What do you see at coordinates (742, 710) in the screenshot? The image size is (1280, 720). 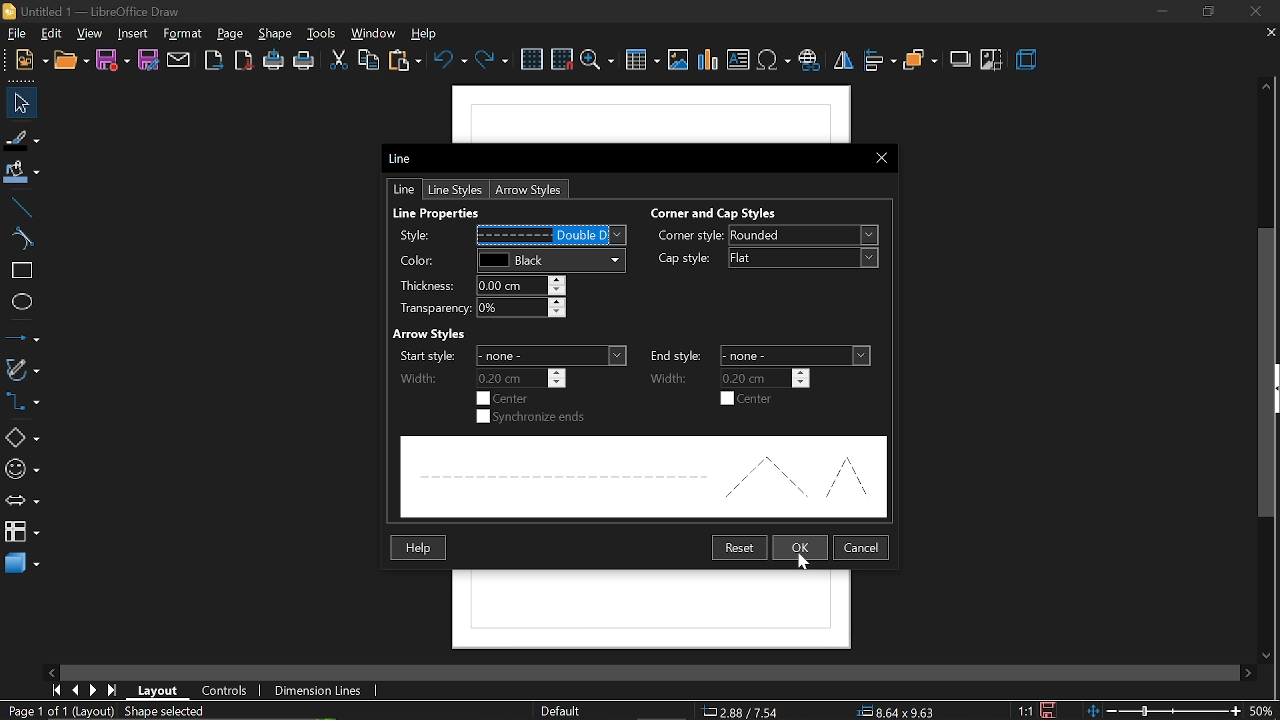 I see `2.88/7.54` at bounding box center [742, 710].